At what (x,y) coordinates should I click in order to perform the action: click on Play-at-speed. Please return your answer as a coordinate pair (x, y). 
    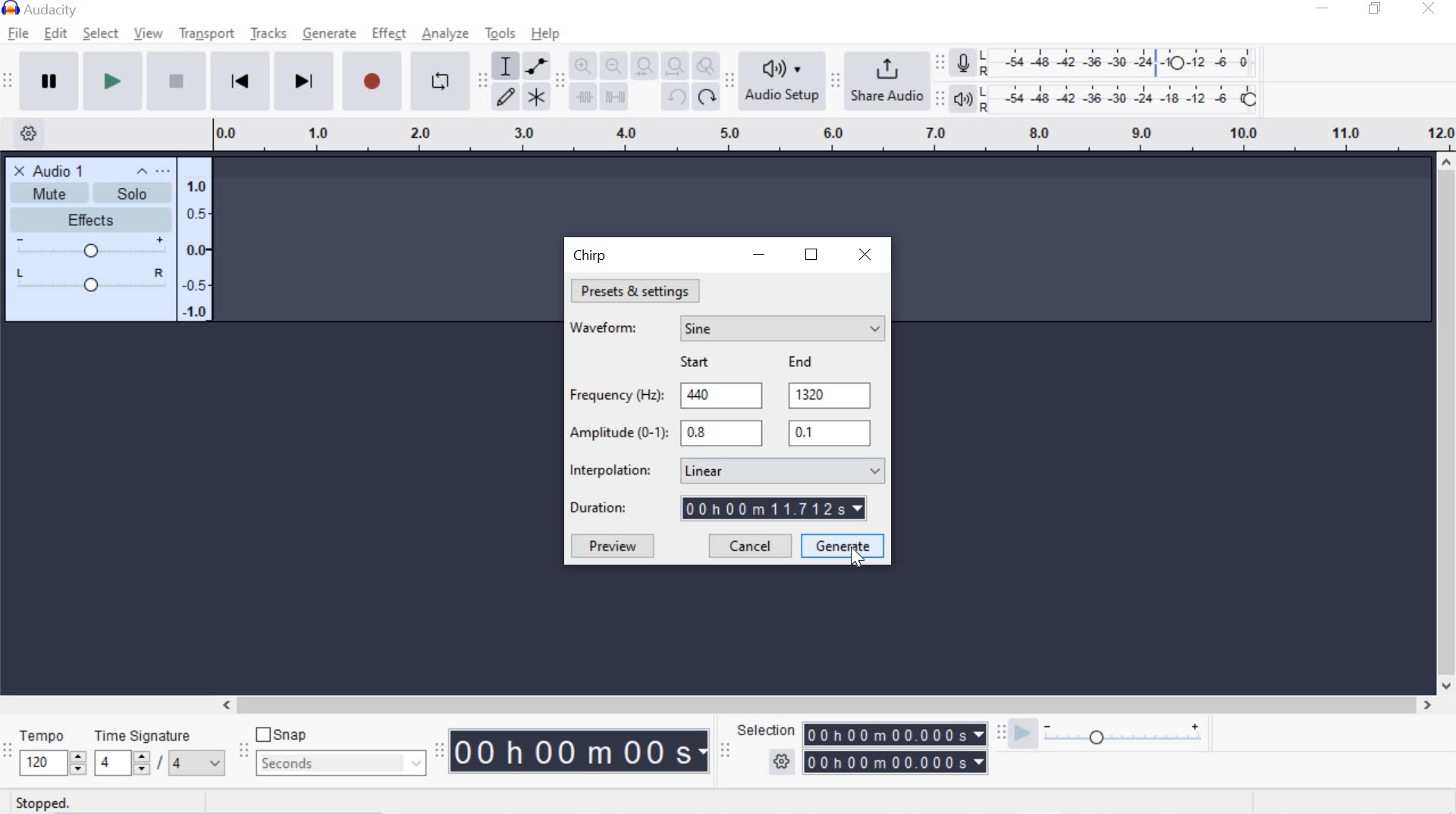
    Looking at the image, I should click on (1022, 735).